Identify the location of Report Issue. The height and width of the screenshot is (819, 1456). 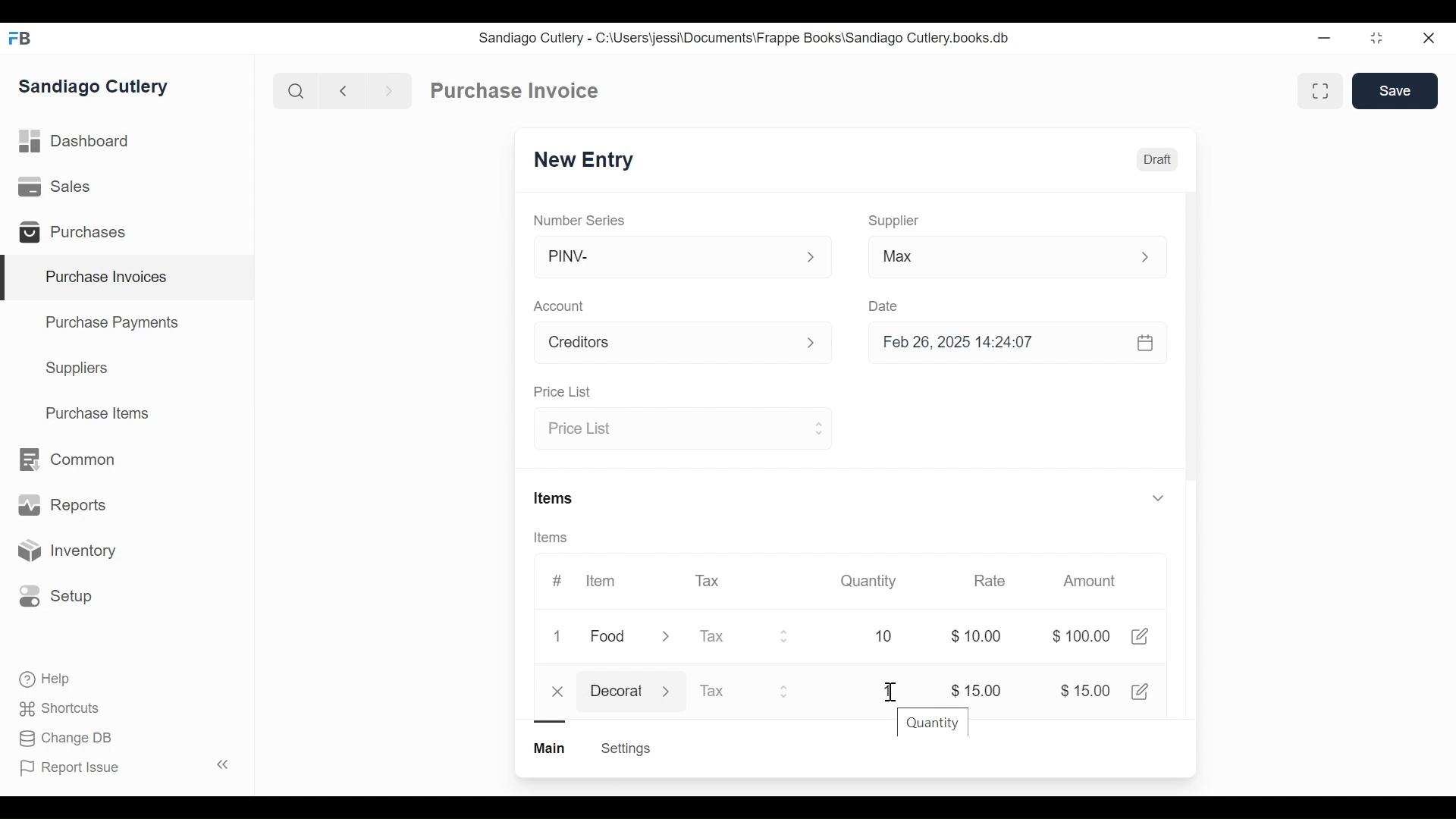
(124, 767).